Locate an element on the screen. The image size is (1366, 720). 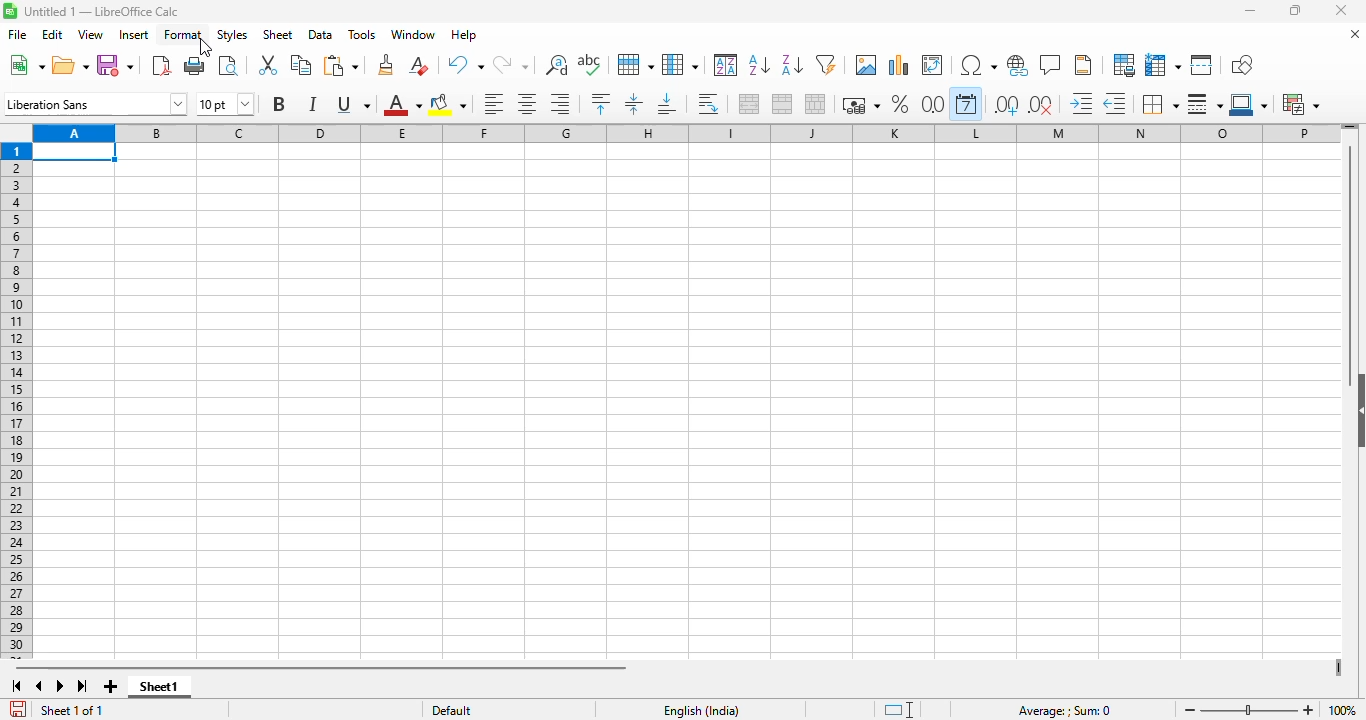
show is located at coordinates (1357, 409).